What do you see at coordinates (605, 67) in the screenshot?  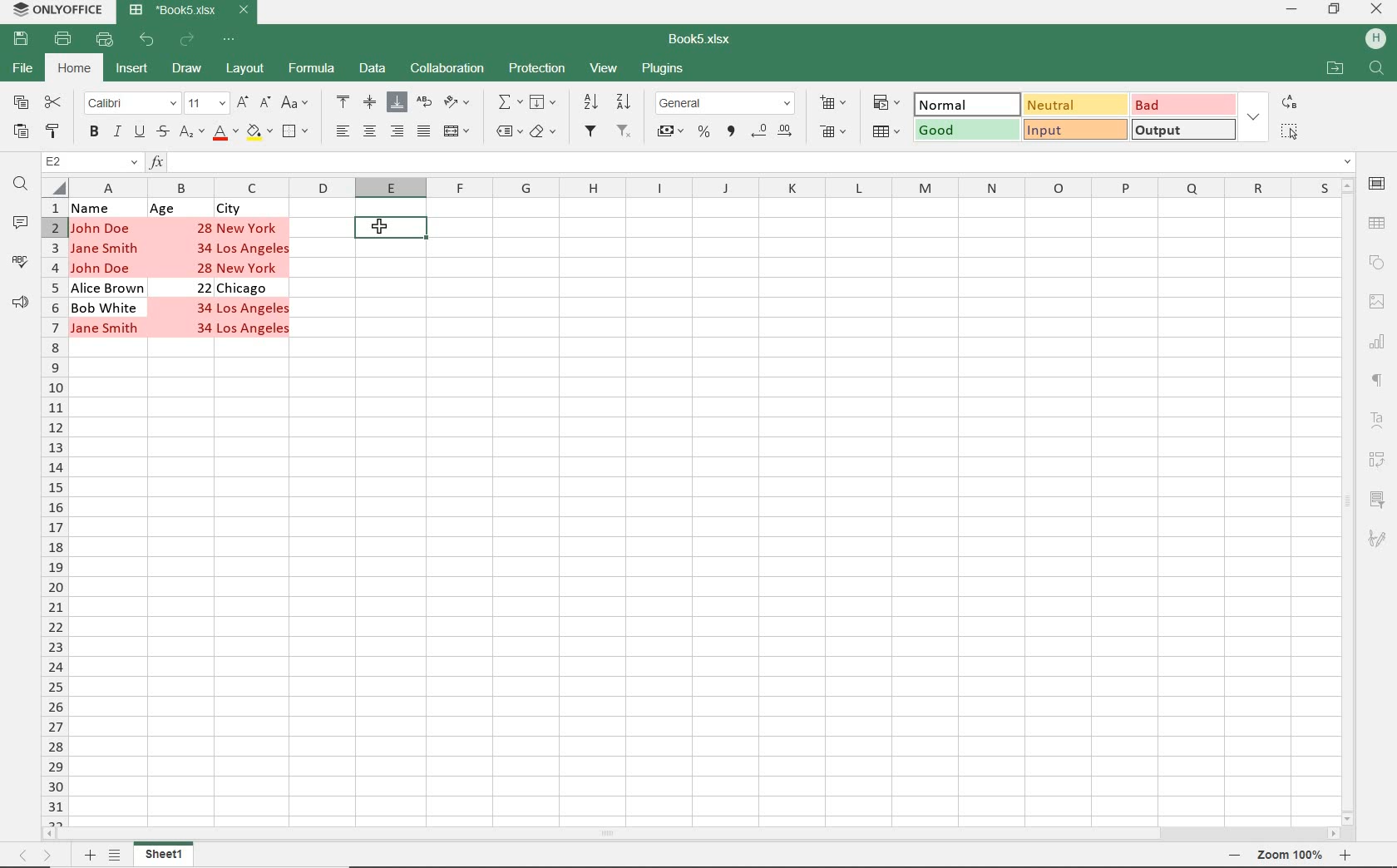 I see `VIEW` at bounding box center [605, 67].